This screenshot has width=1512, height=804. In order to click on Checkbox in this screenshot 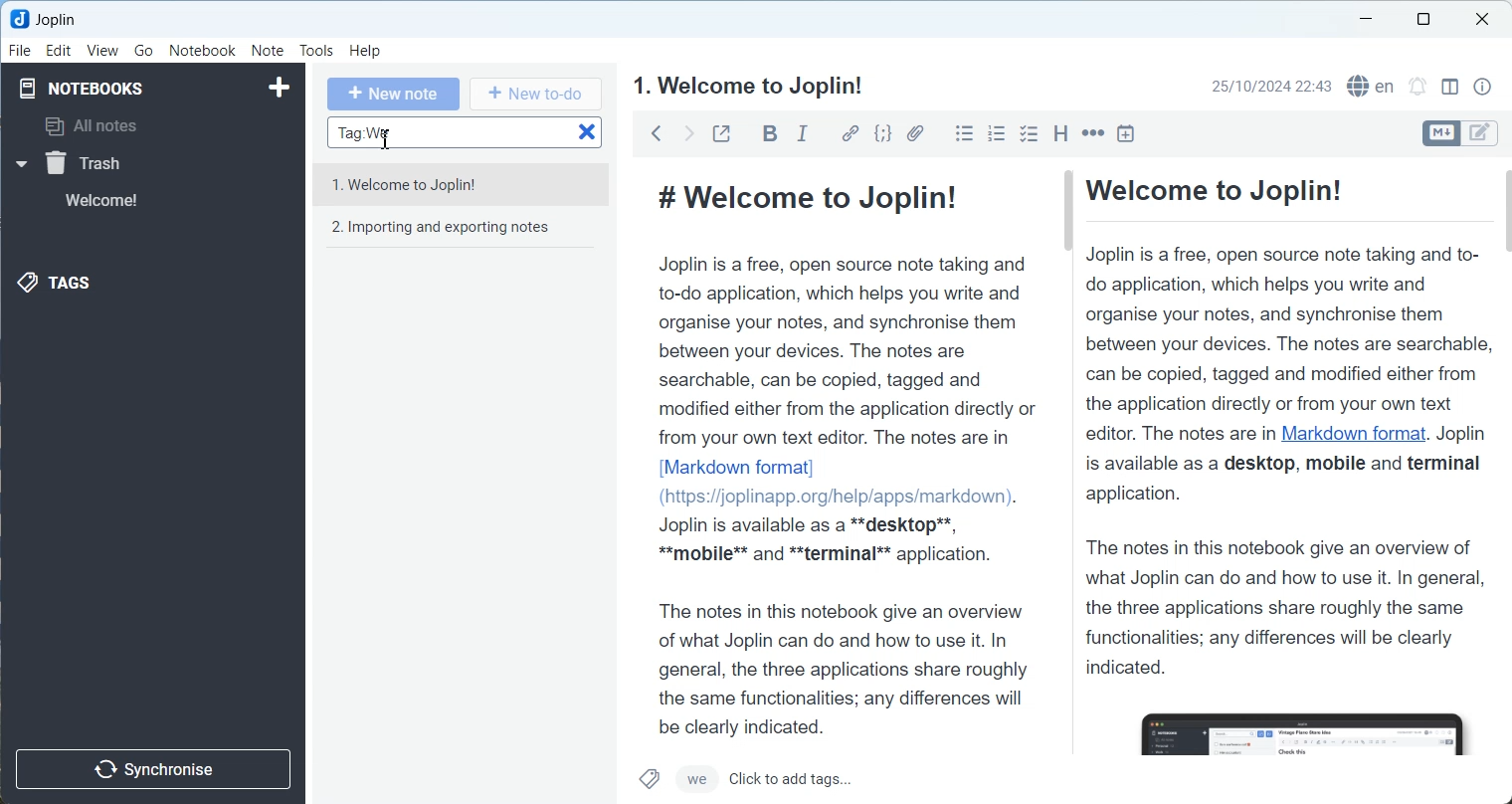, I will do `click(1029, 132)`.